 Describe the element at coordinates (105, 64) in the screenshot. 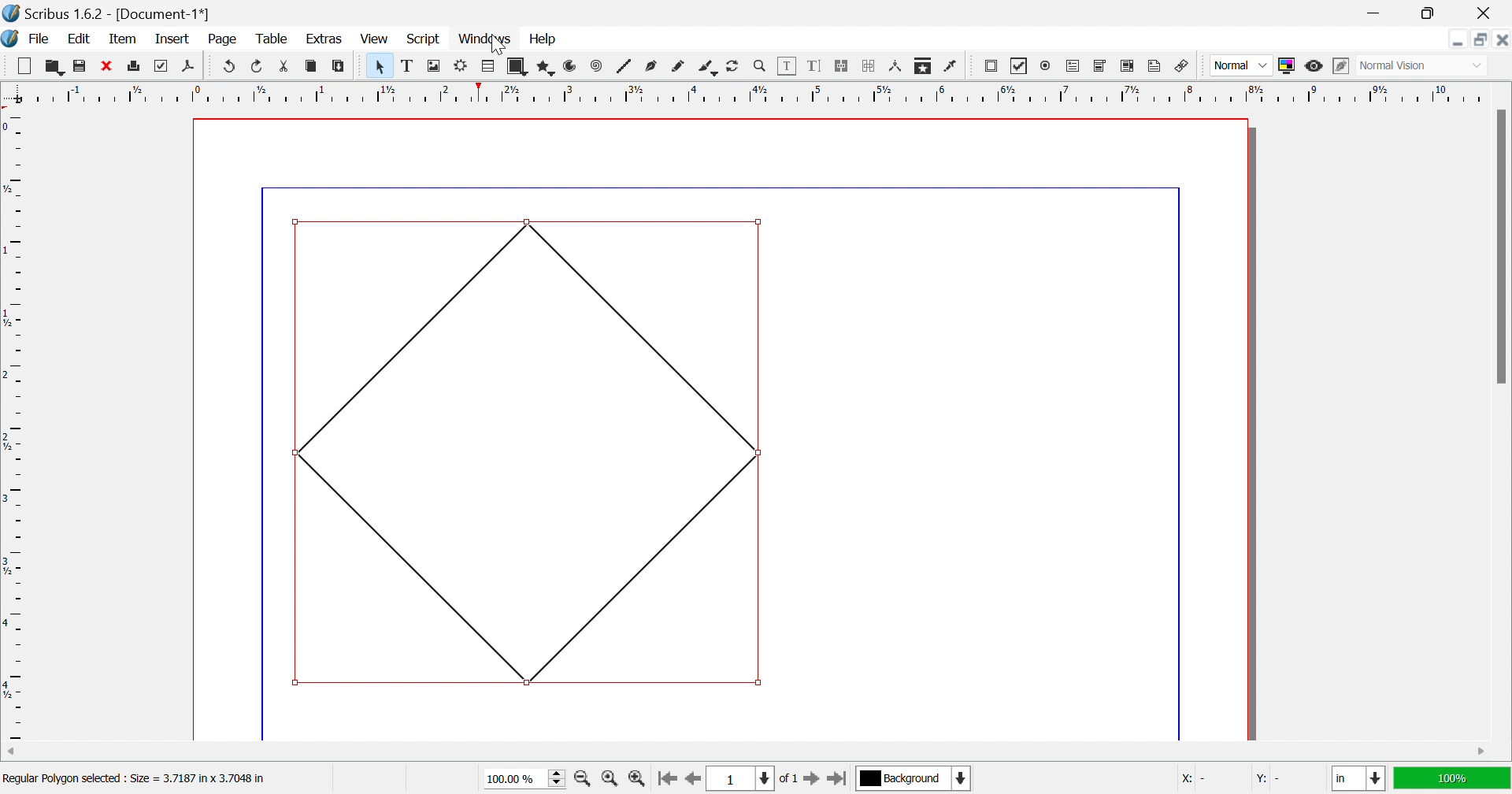

I see `Close` at that location.